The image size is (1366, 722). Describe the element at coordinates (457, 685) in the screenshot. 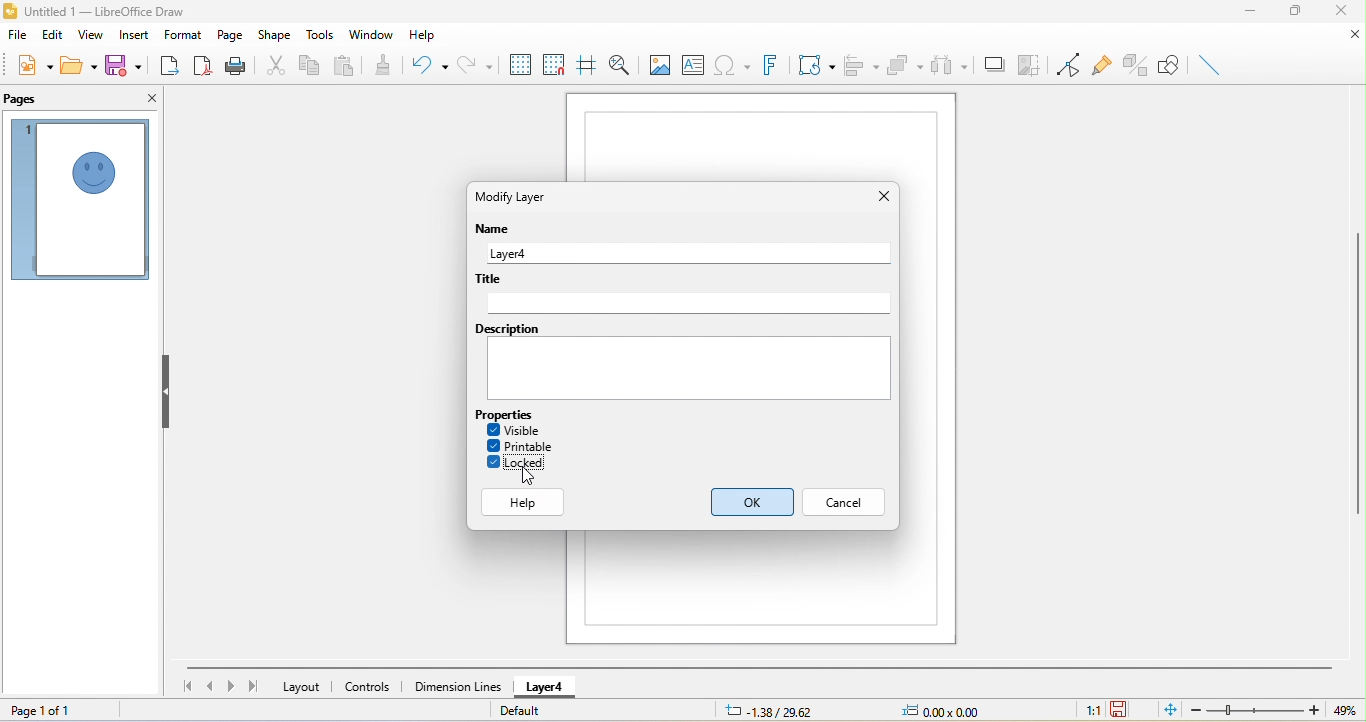

I see `dimension lines` at that location.